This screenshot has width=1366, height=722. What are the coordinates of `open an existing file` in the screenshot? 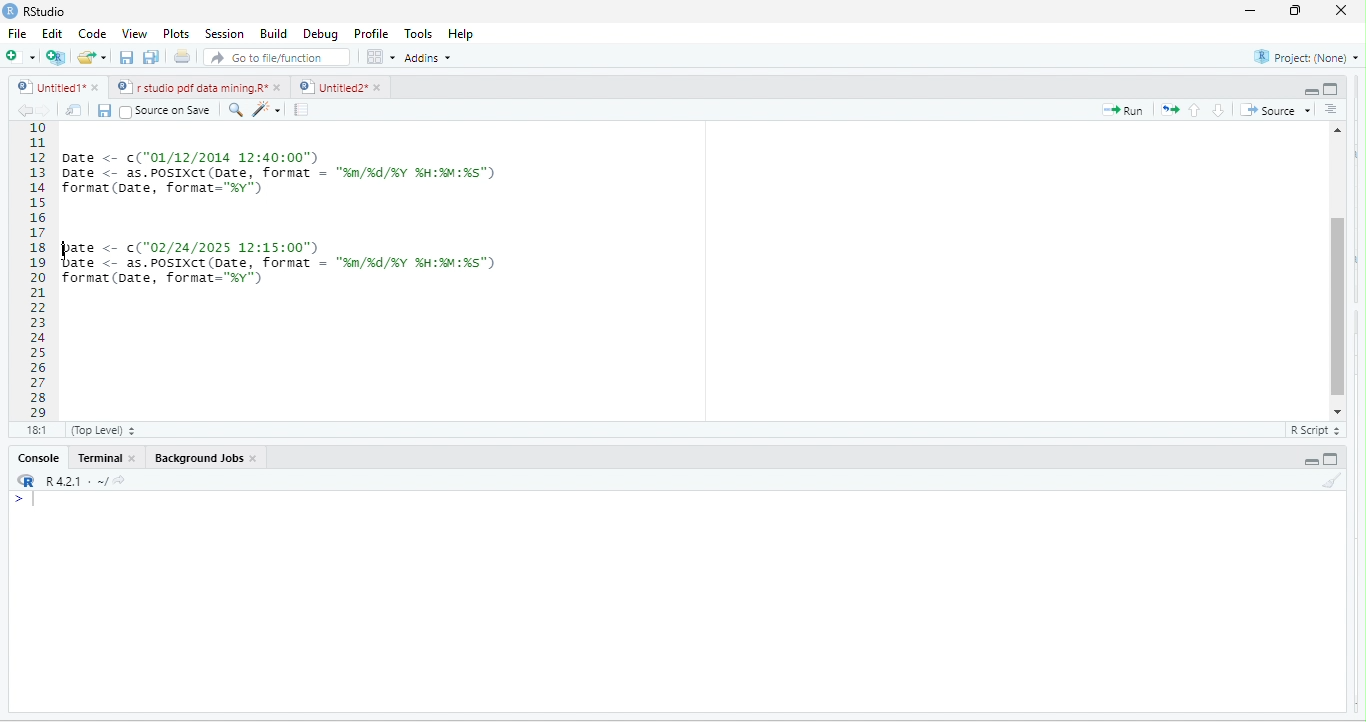 It's located at (93, 57).